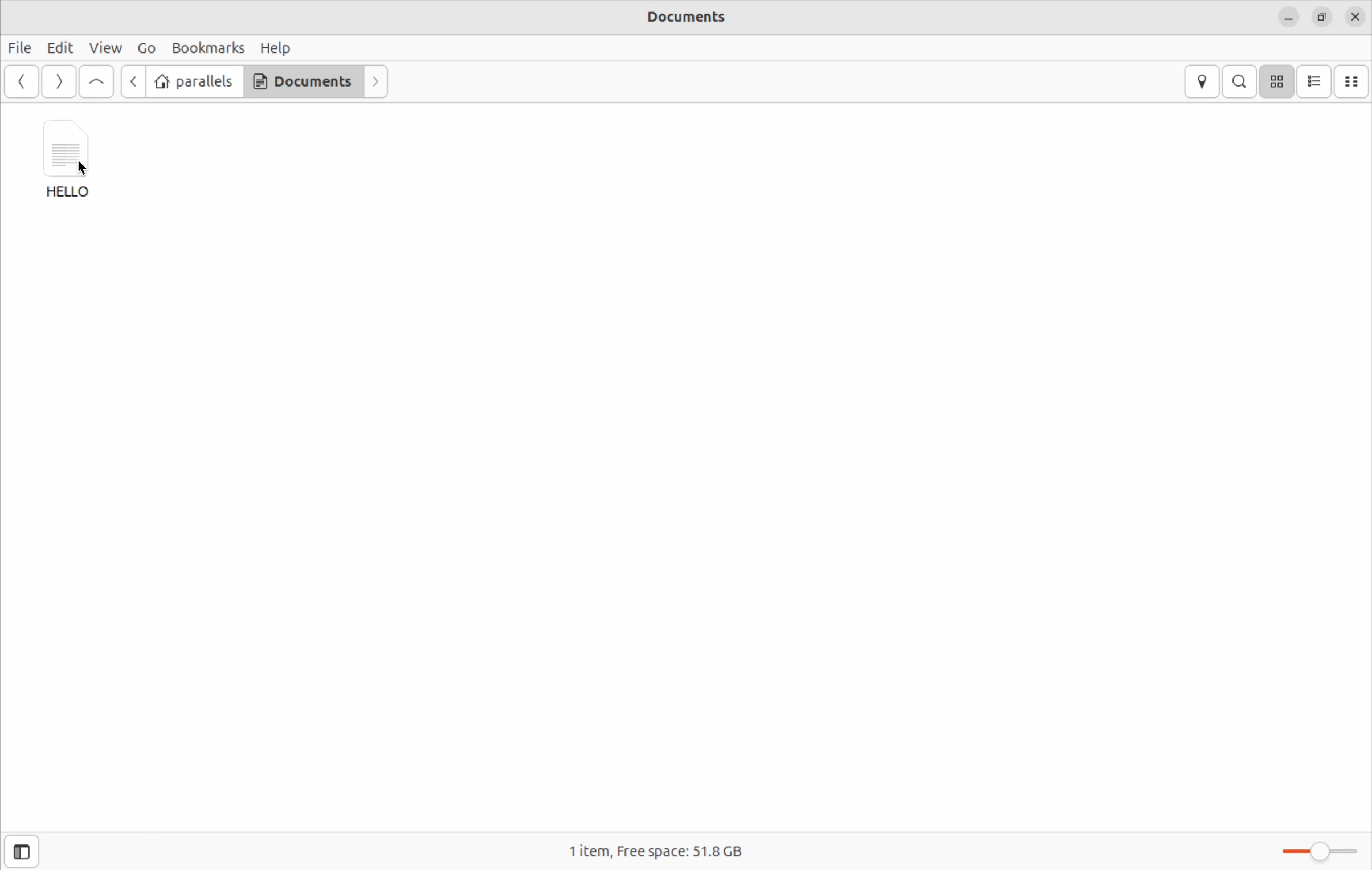 Image resolution: width=1372 pixels, height=870 pixels. What do you see at coordinates (1203, 83) in the screenshot?
I see `location` at bounding box center [1203, 83].